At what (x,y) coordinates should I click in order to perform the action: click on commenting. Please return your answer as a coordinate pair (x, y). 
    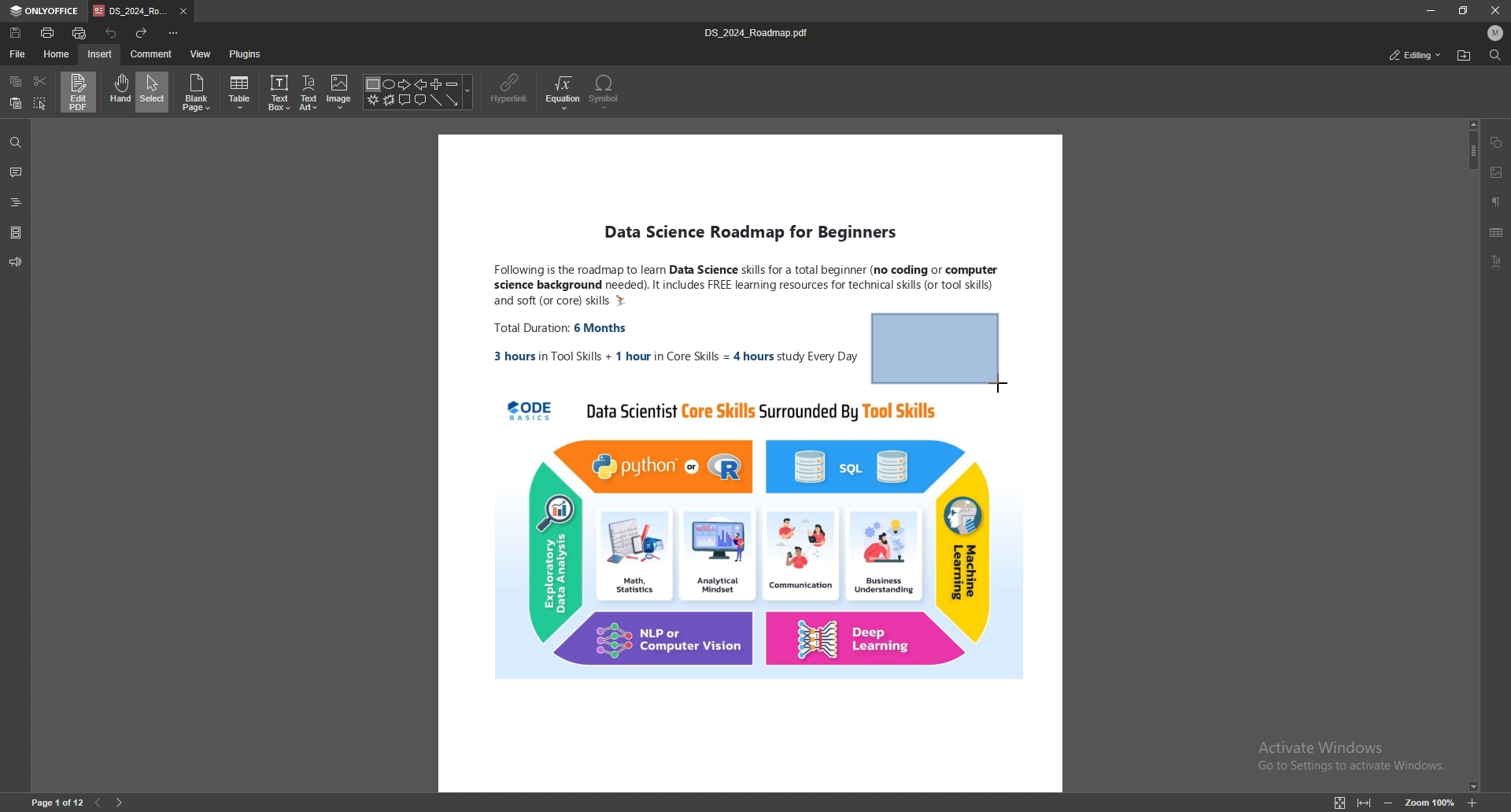
    Looking at the image, I should click on (1403, 54).